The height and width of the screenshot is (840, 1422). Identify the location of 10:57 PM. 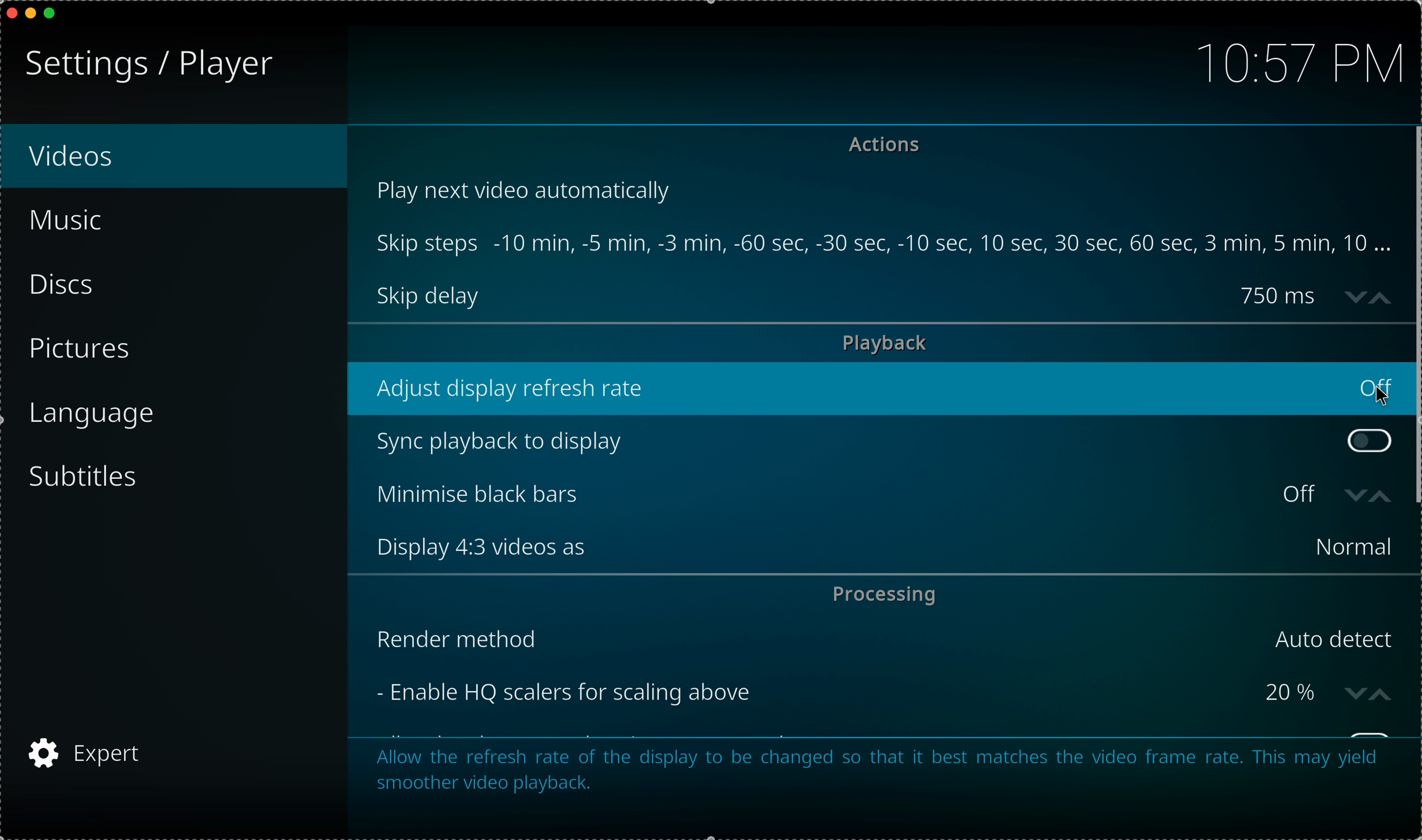
(1293, 61).